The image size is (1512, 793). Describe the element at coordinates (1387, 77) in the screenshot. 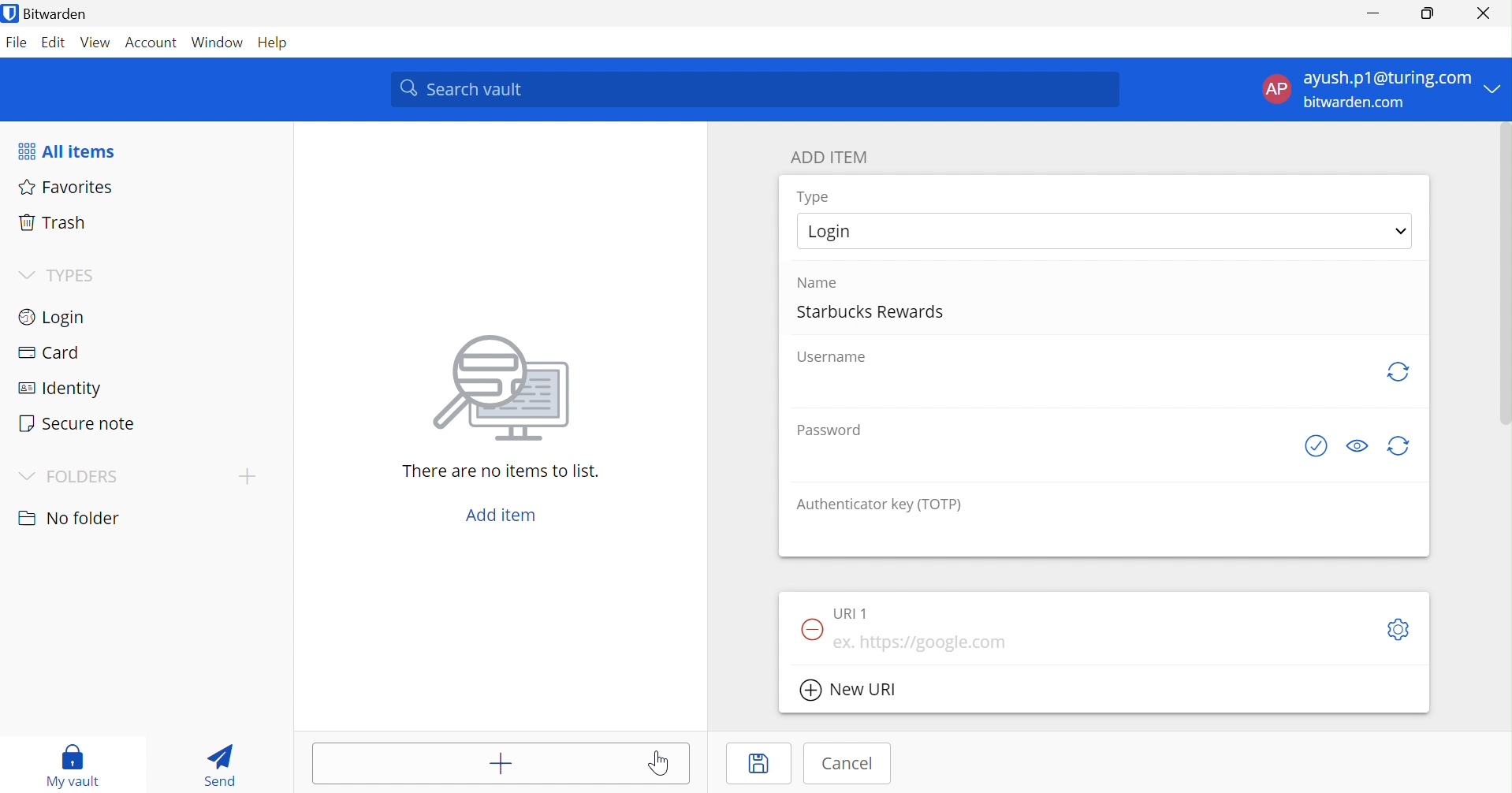

I see `ayush.p1@turing.com` at that location.